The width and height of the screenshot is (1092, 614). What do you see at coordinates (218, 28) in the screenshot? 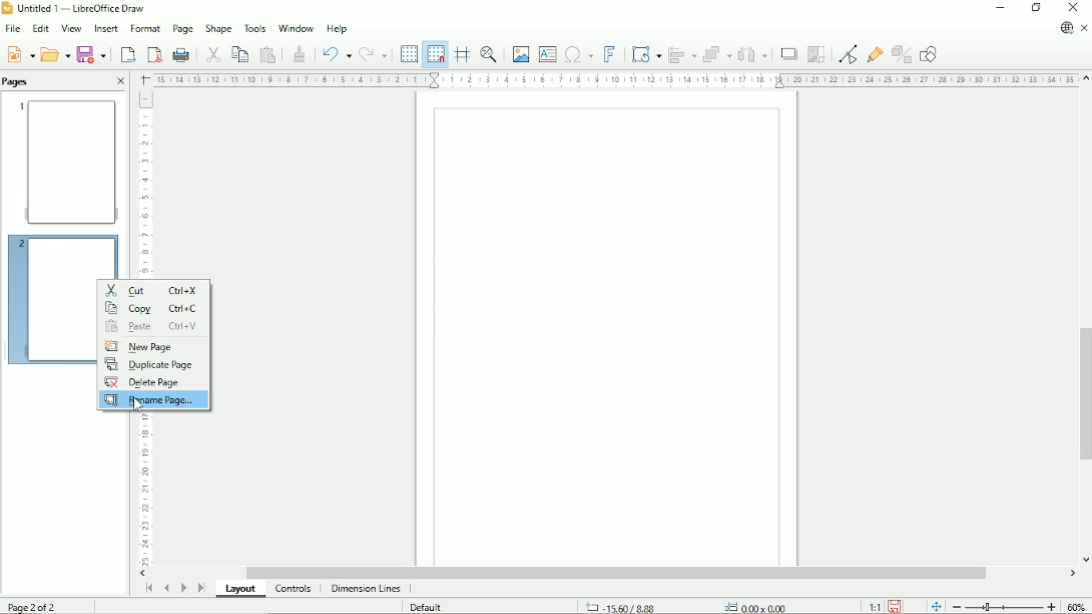
I see `Shape` at bounding box center [218, 28].